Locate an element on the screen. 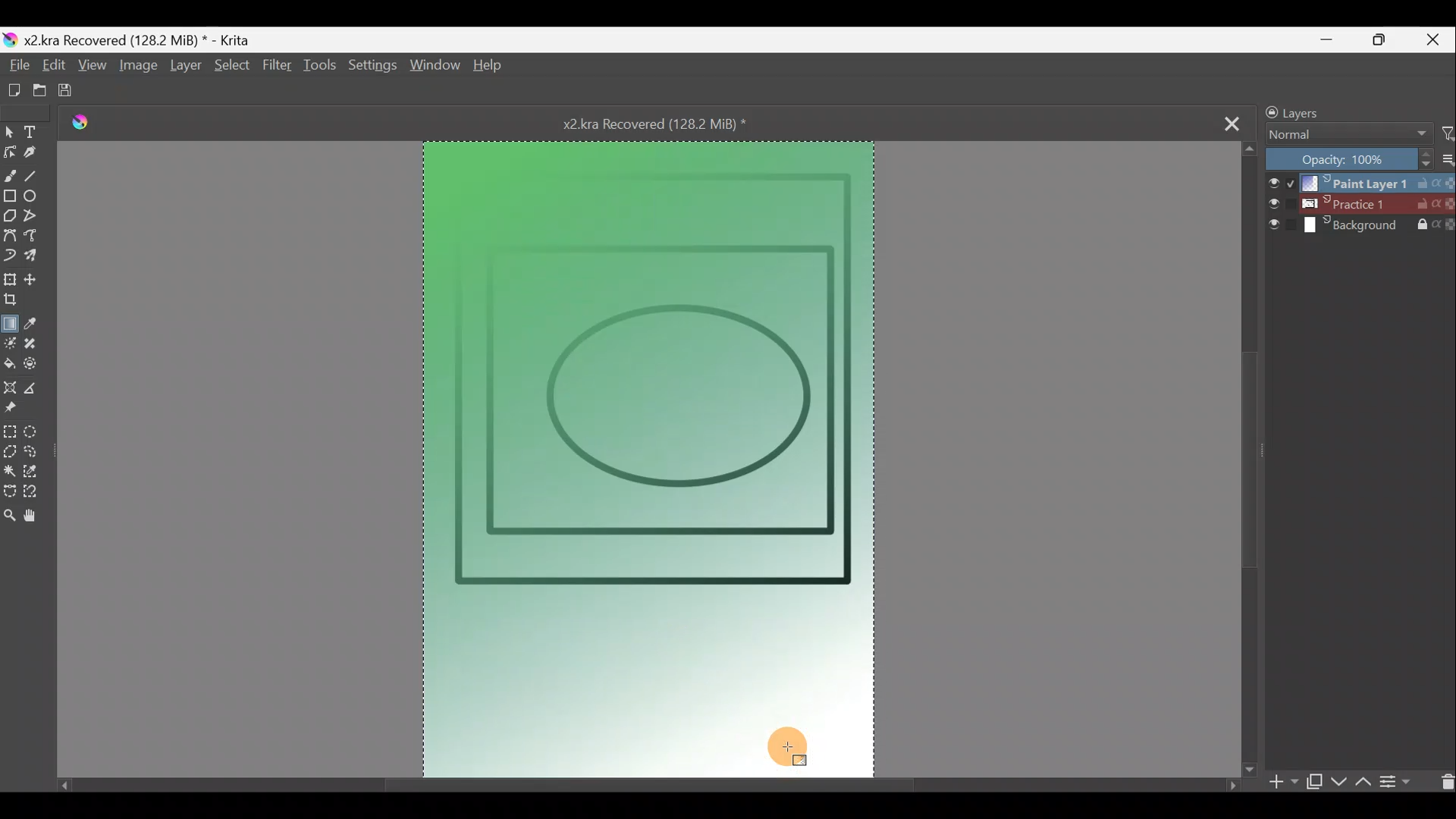 The image size is (1456, 819). Draw a gradient is located at coordinates (11, 321).